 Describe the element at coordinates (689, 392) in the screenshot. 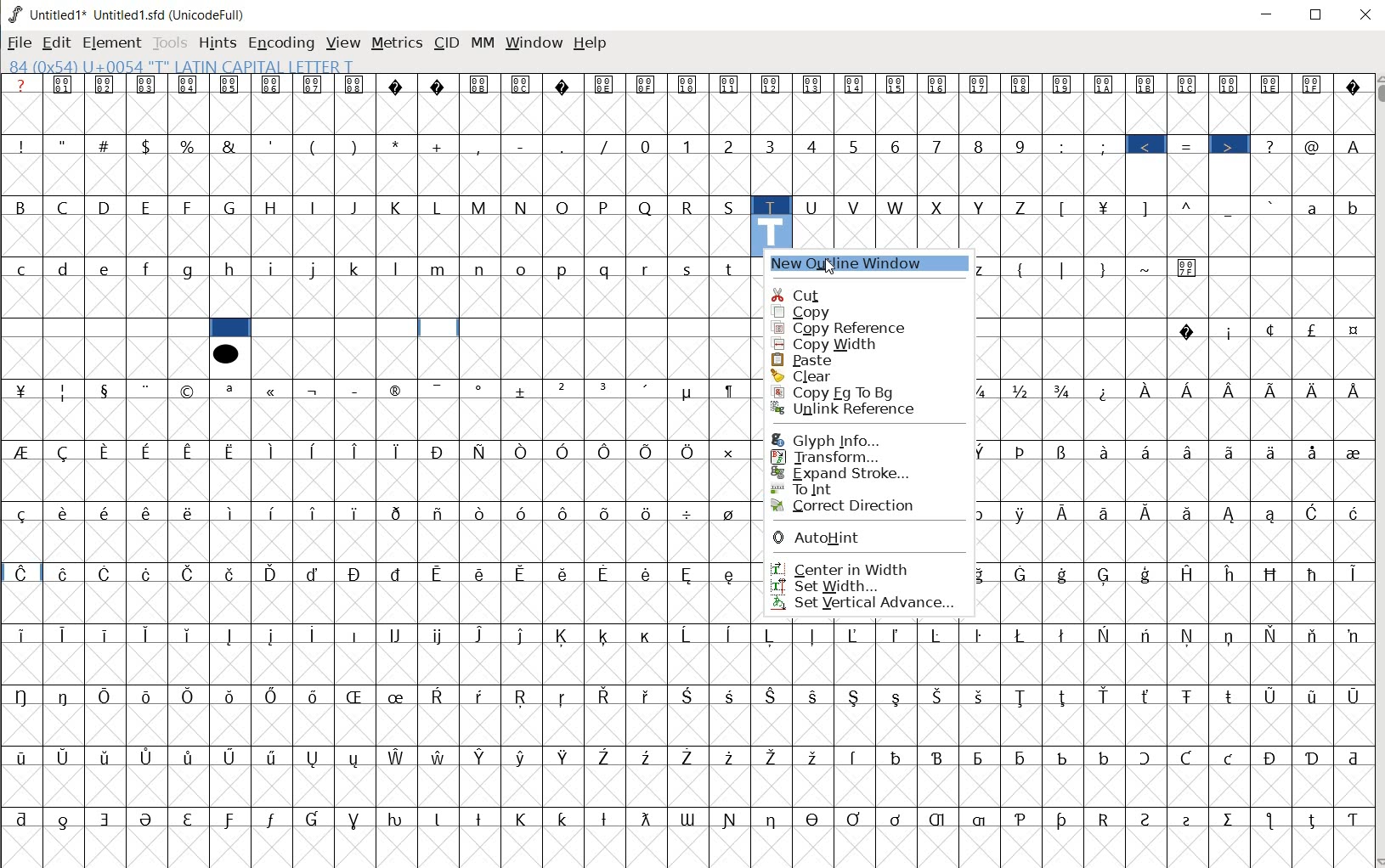

I see `Symbol` at that location.